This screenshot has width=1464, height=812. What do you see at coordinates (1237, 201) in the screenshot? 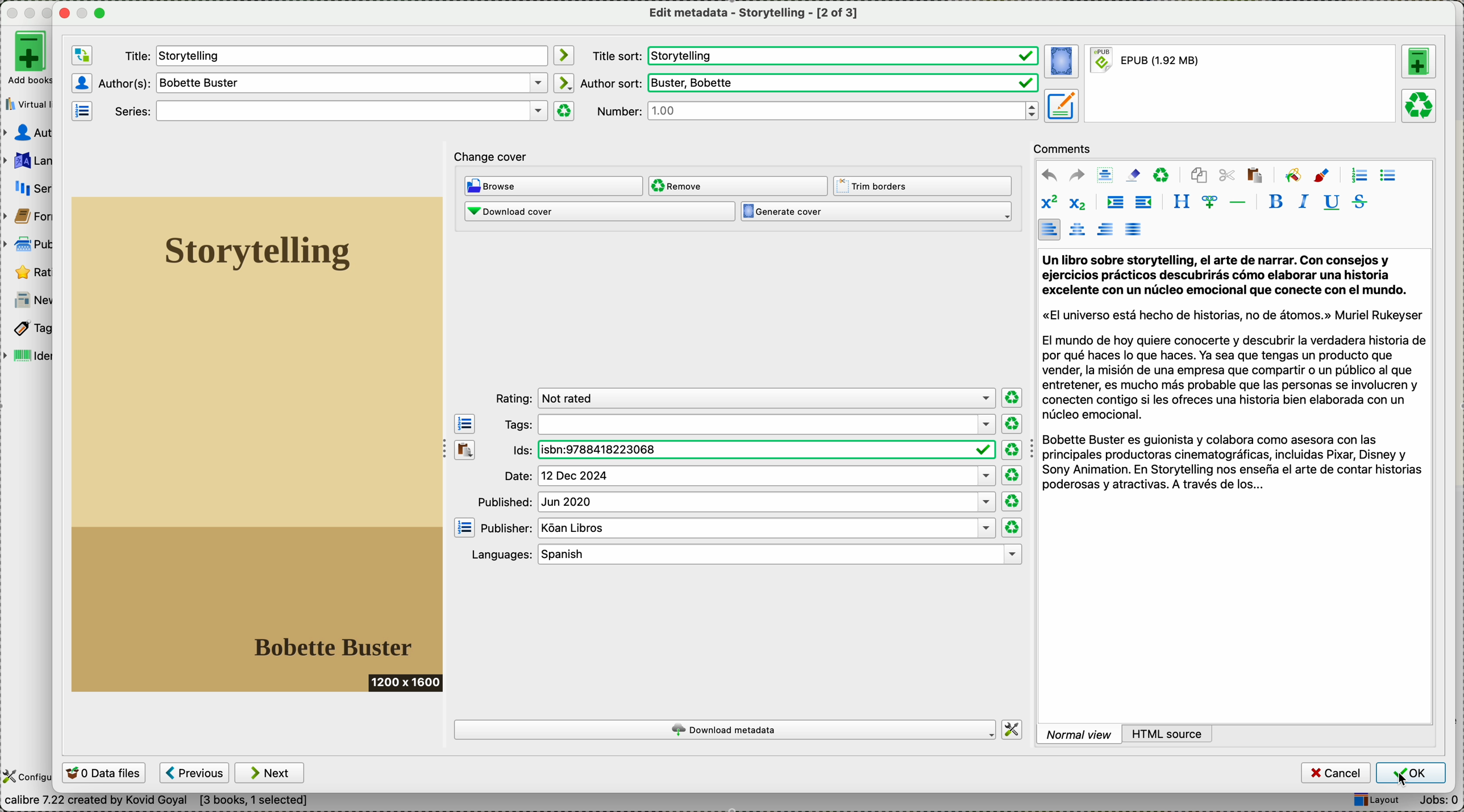
I see `separate` at bounding box center [1237, 201].